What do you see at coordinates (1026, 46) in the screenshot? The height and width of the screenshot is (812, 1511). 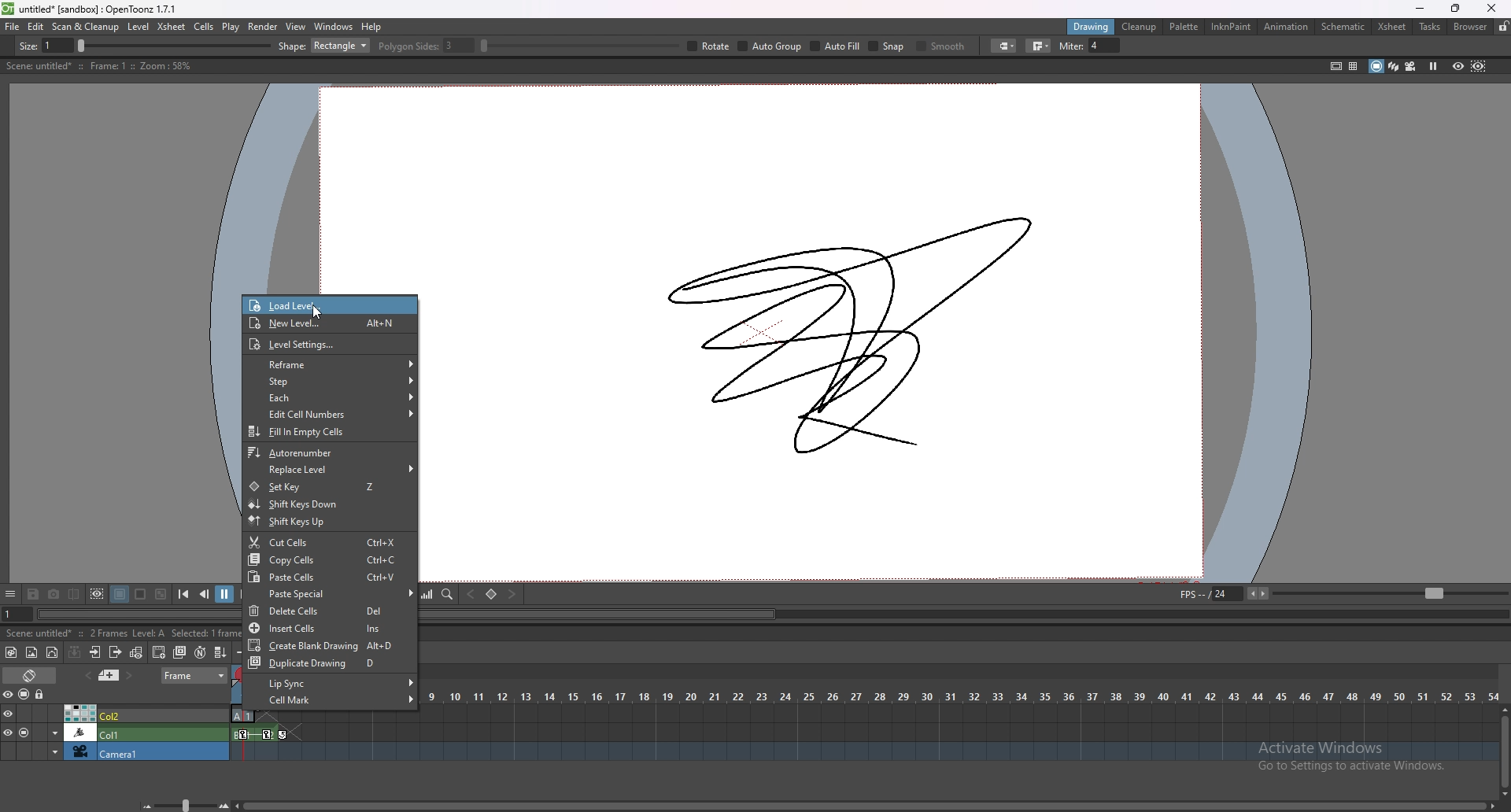 I see `rotate` at bounding box center [1026, 46].